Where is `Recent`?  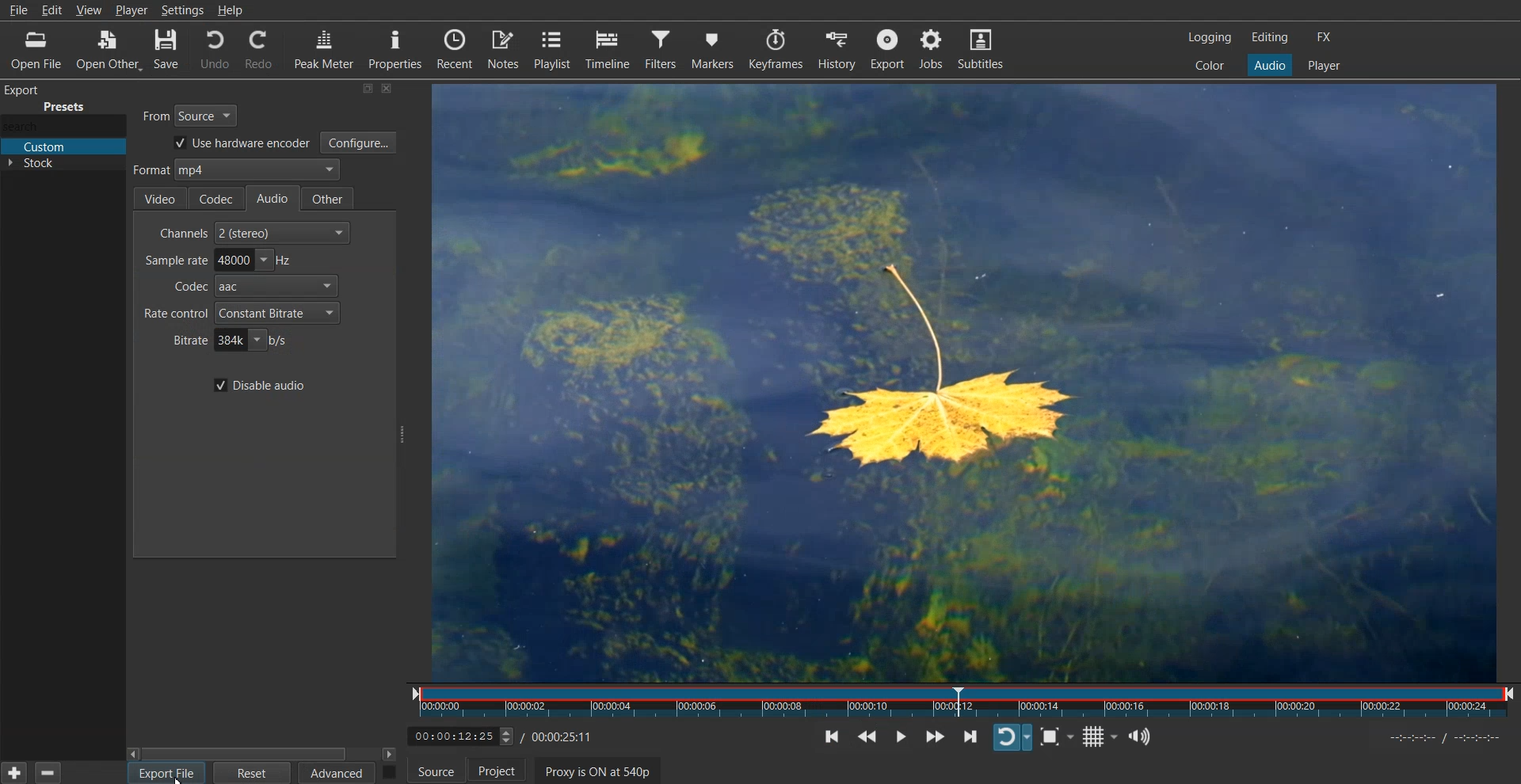 Recent is located at coordinates (456, 49).